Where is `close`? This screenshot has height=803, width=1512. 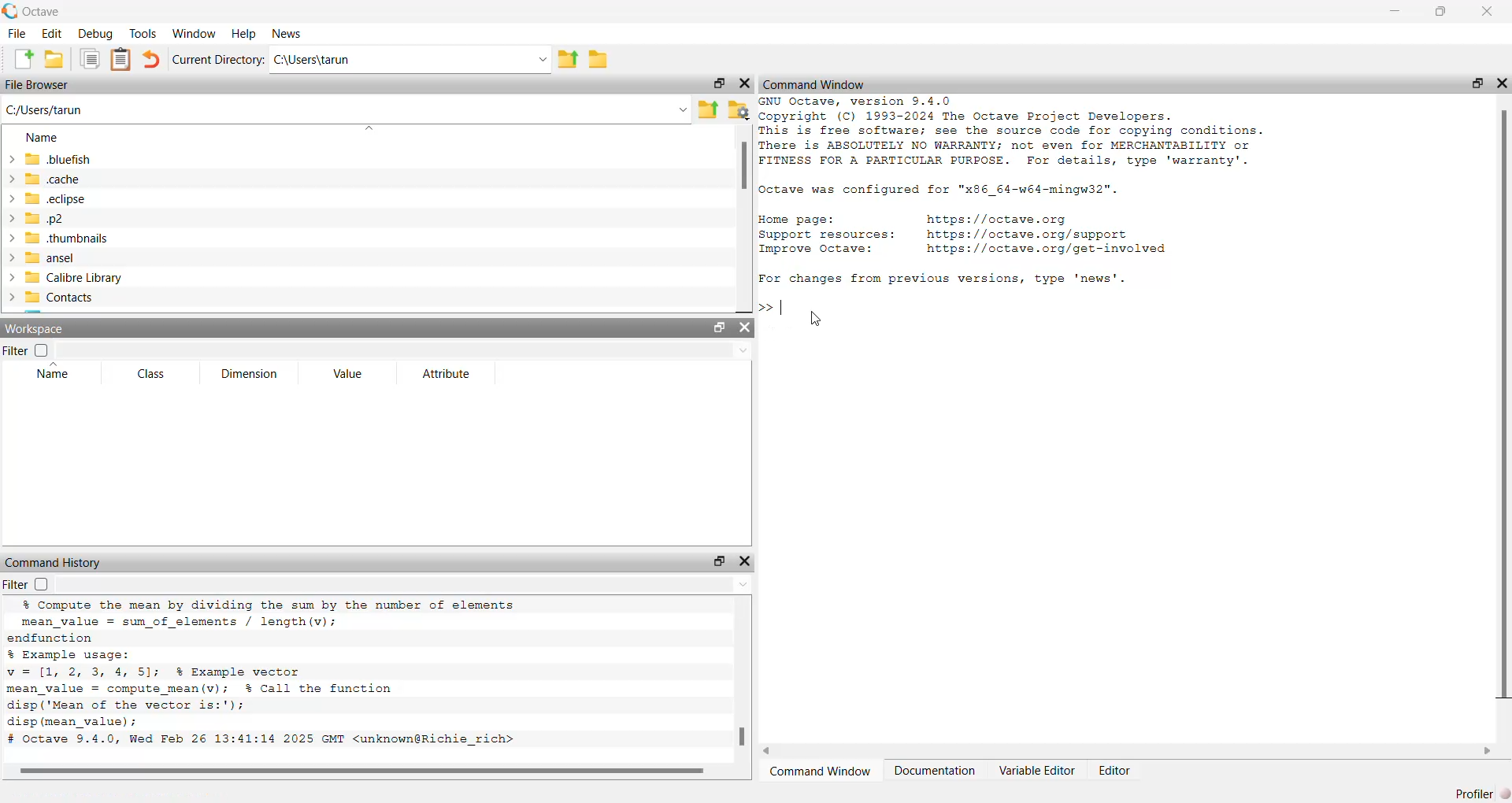
close is located at coordinates (745, 83).